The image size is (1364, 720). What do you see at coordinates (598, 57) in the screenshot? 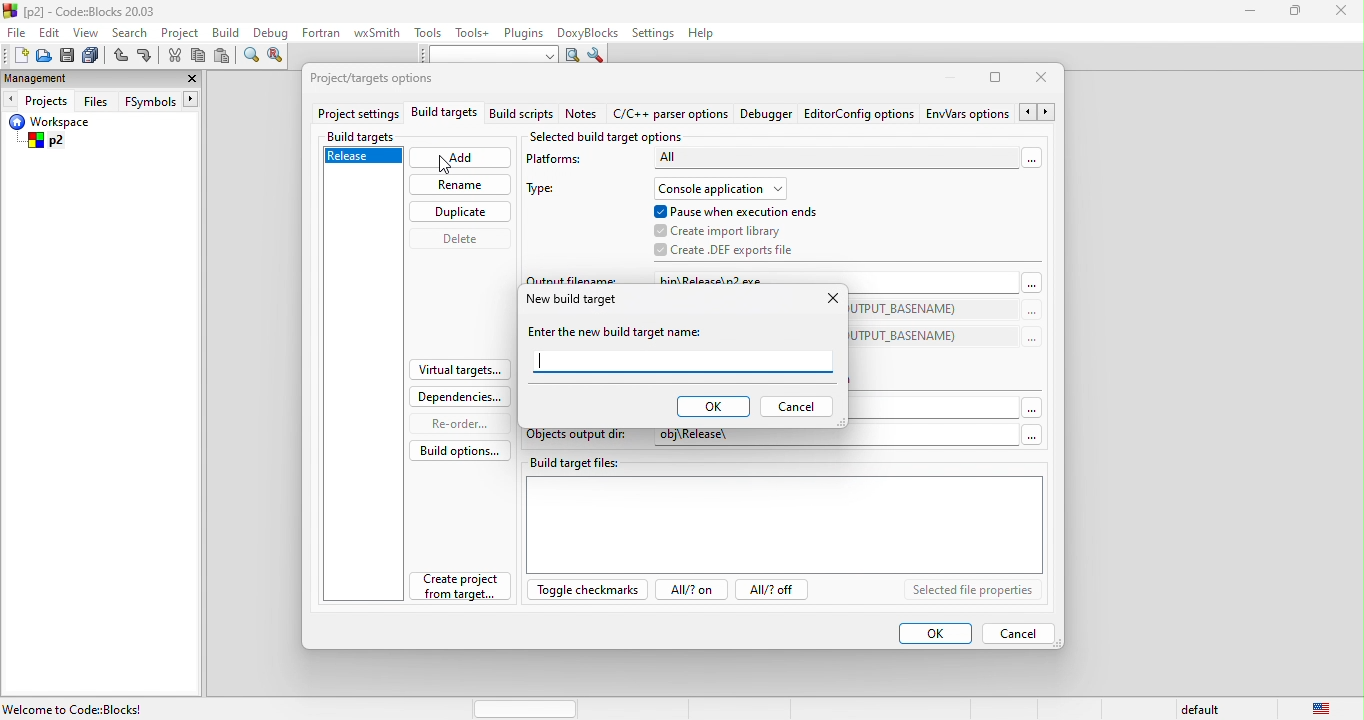
I see `show option window` at bounding box center [598, 57].